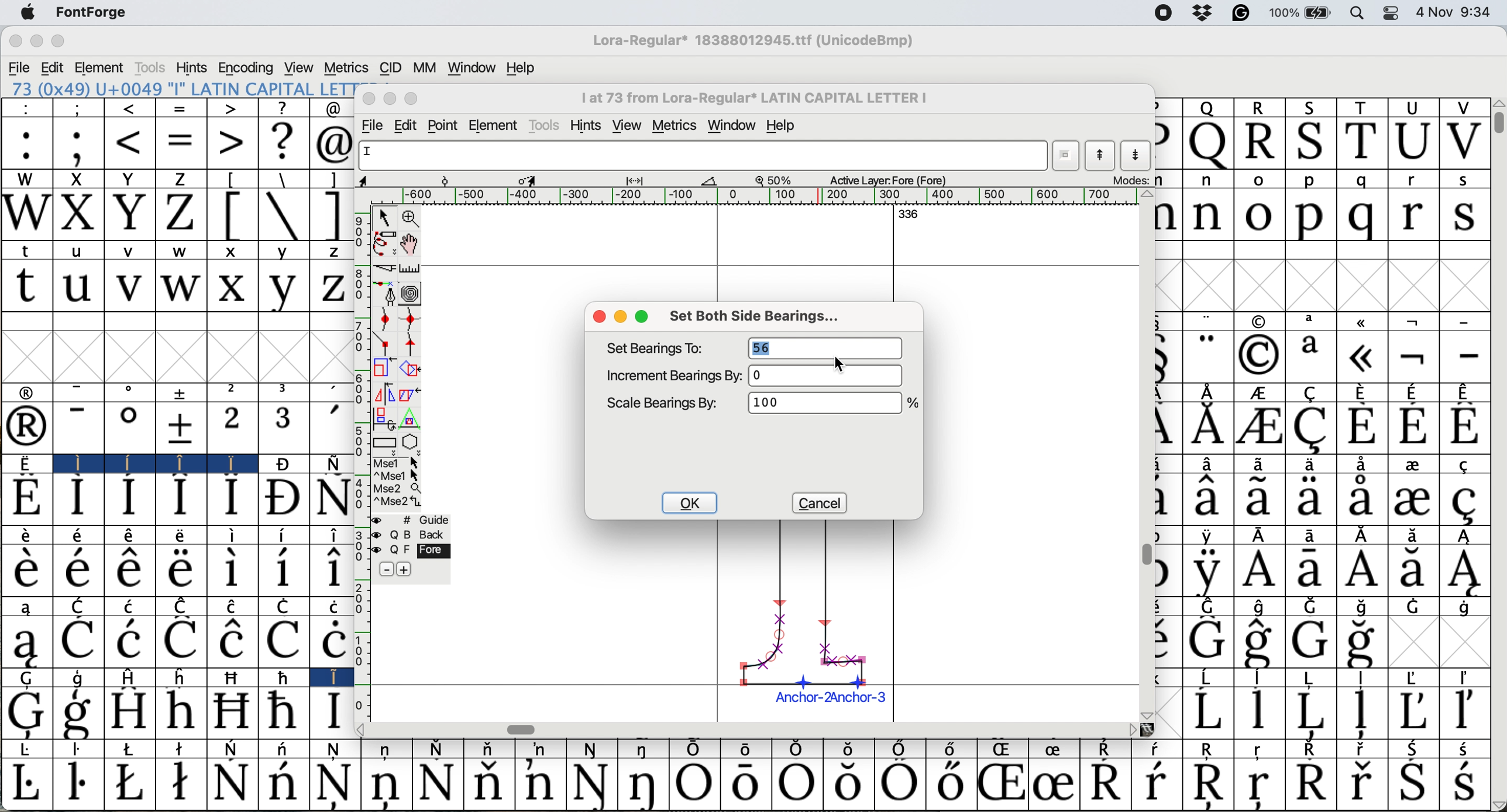 Image resolution: width=1507 pixels, height=812 pixels. Describe the element at coordinates (282, 108) in the screenshot. I see `?` at that location.